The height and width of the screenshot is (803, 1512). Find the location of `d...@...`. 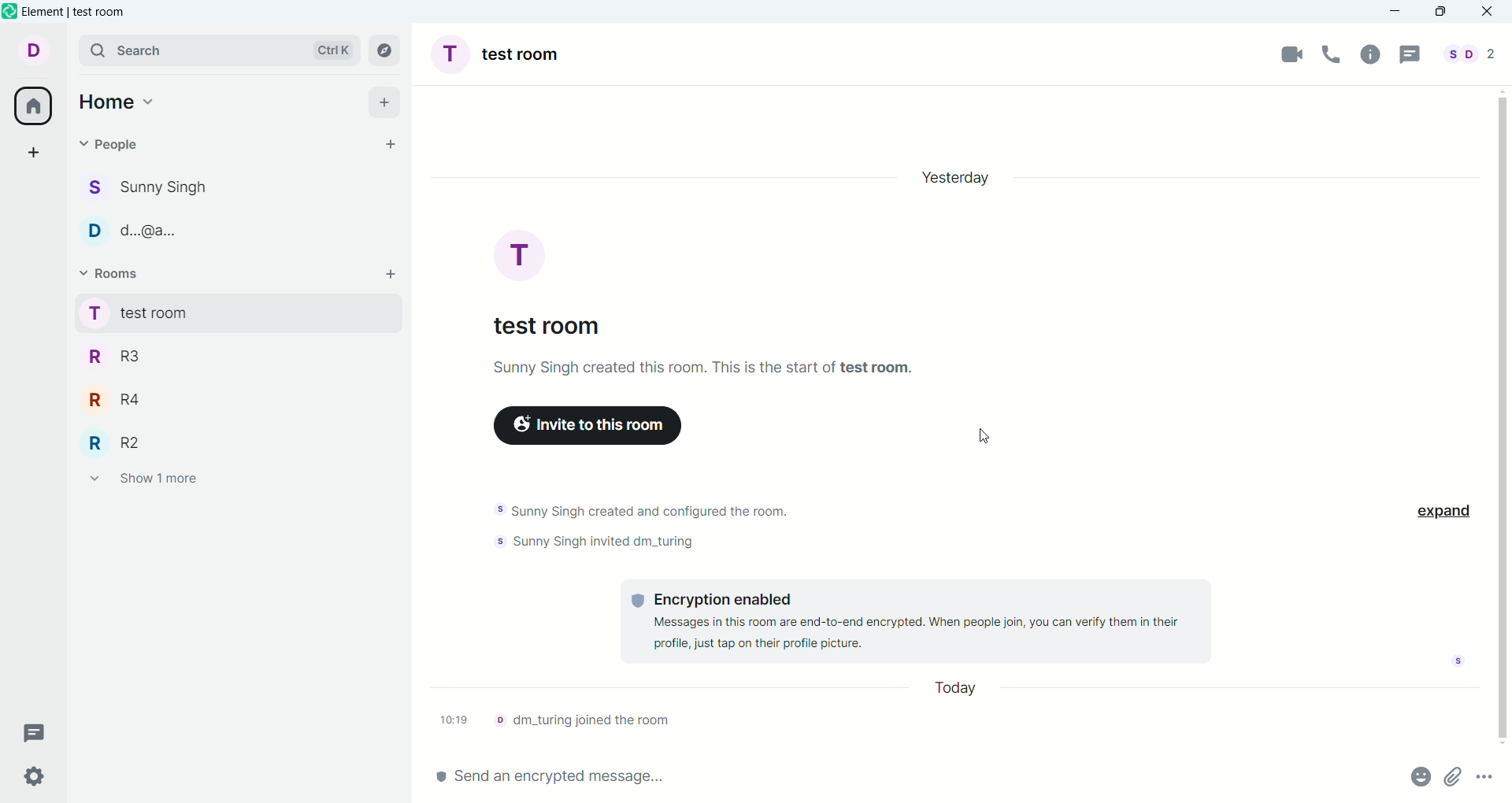

d...@... is located at coordinates (235, 227).